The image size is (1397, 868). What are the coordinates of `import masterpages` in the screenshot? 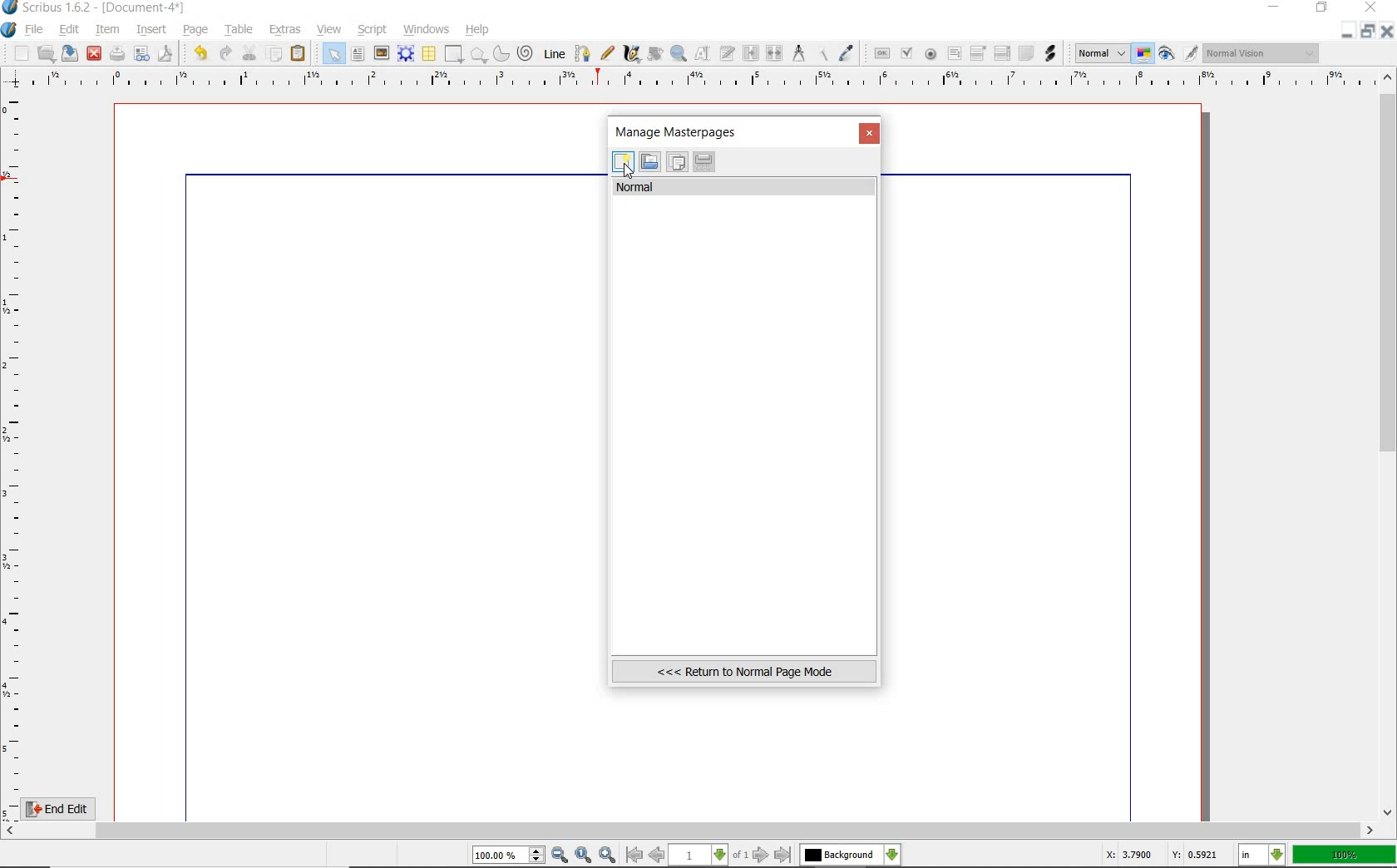 It's located at (649, 162).